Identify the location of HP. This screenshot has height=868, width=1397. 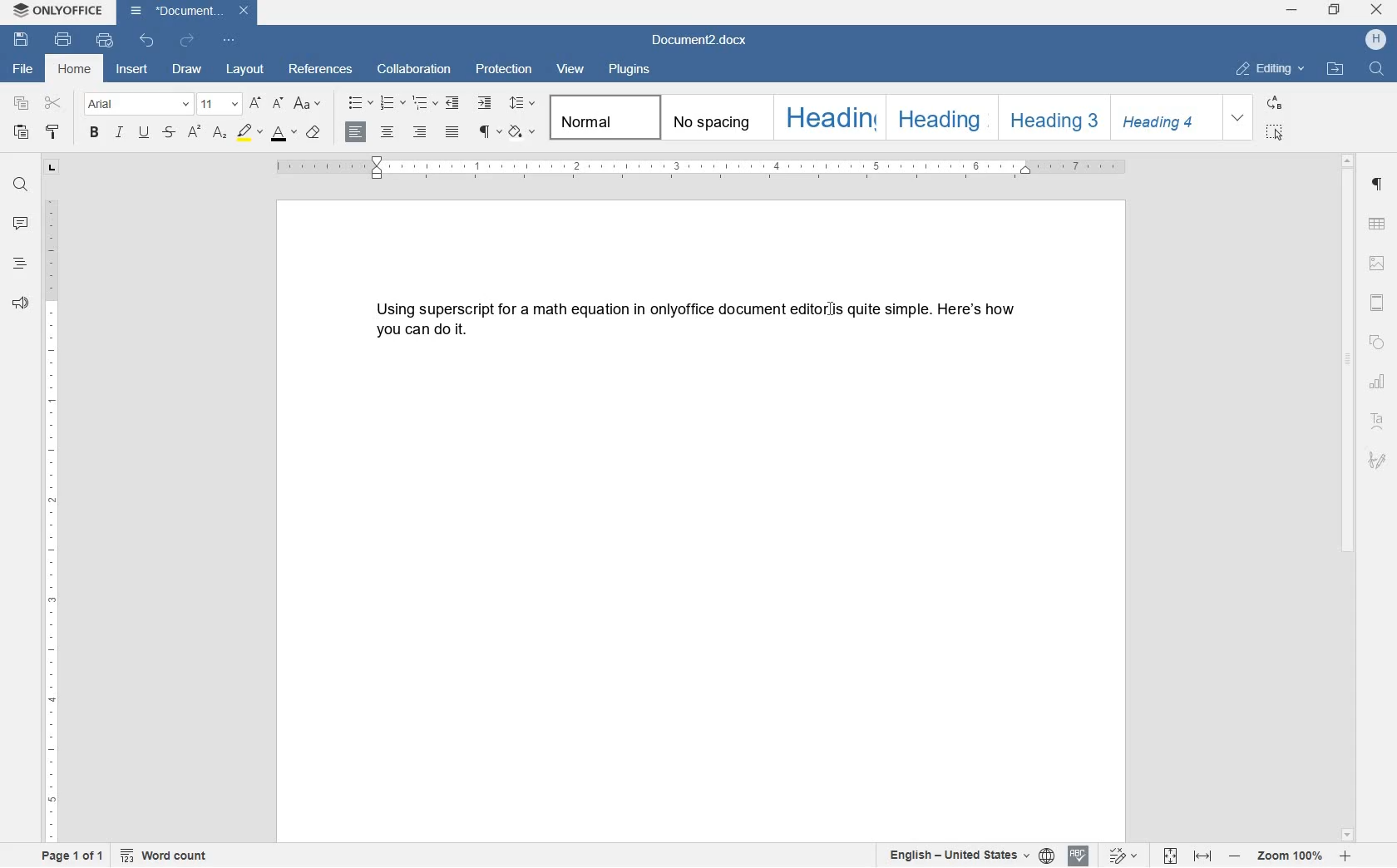
(1375, 41).